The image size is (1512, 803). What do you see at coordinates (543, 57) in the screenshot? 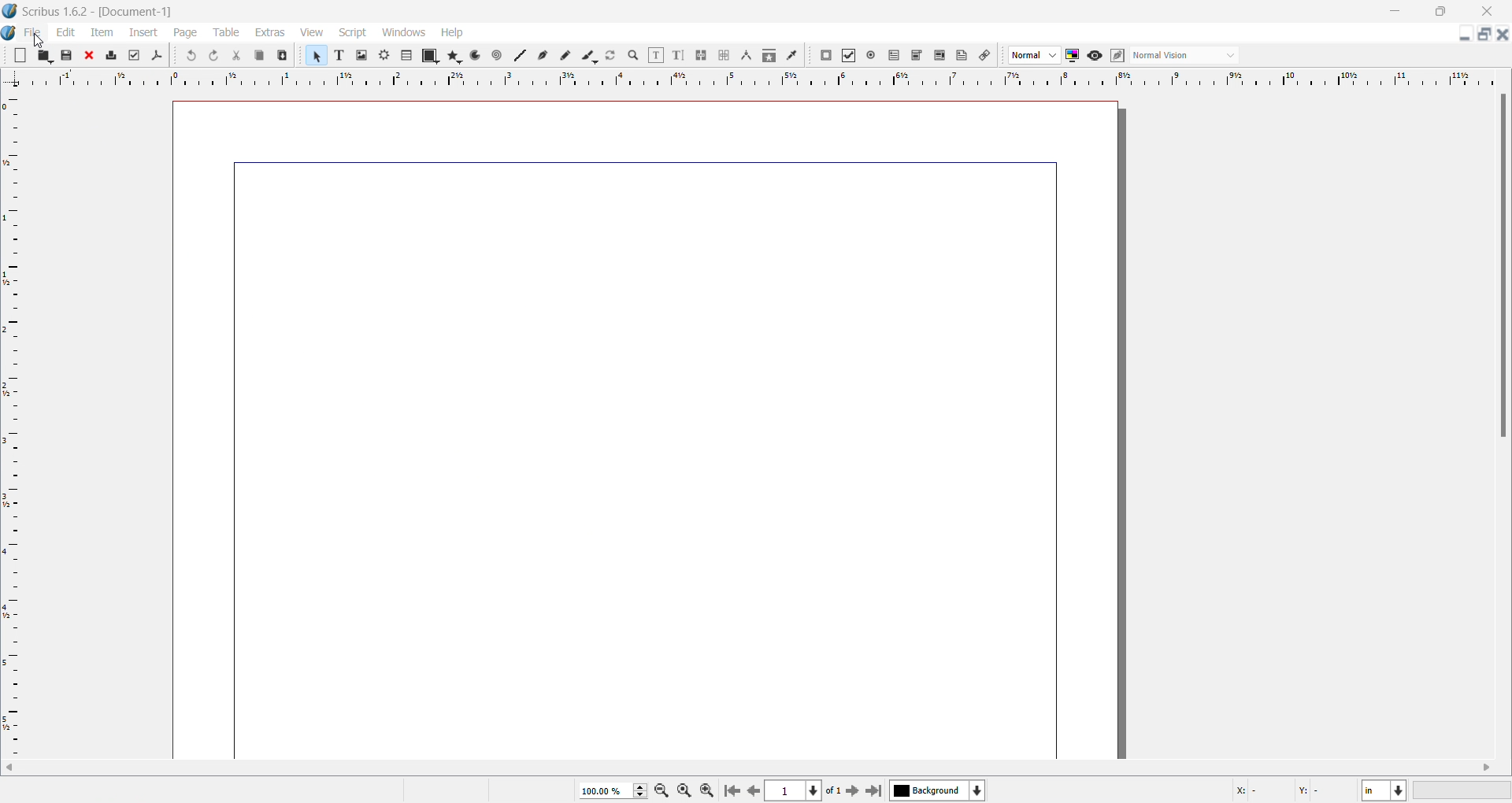
I see `icon` at bounding box center [543, 57].